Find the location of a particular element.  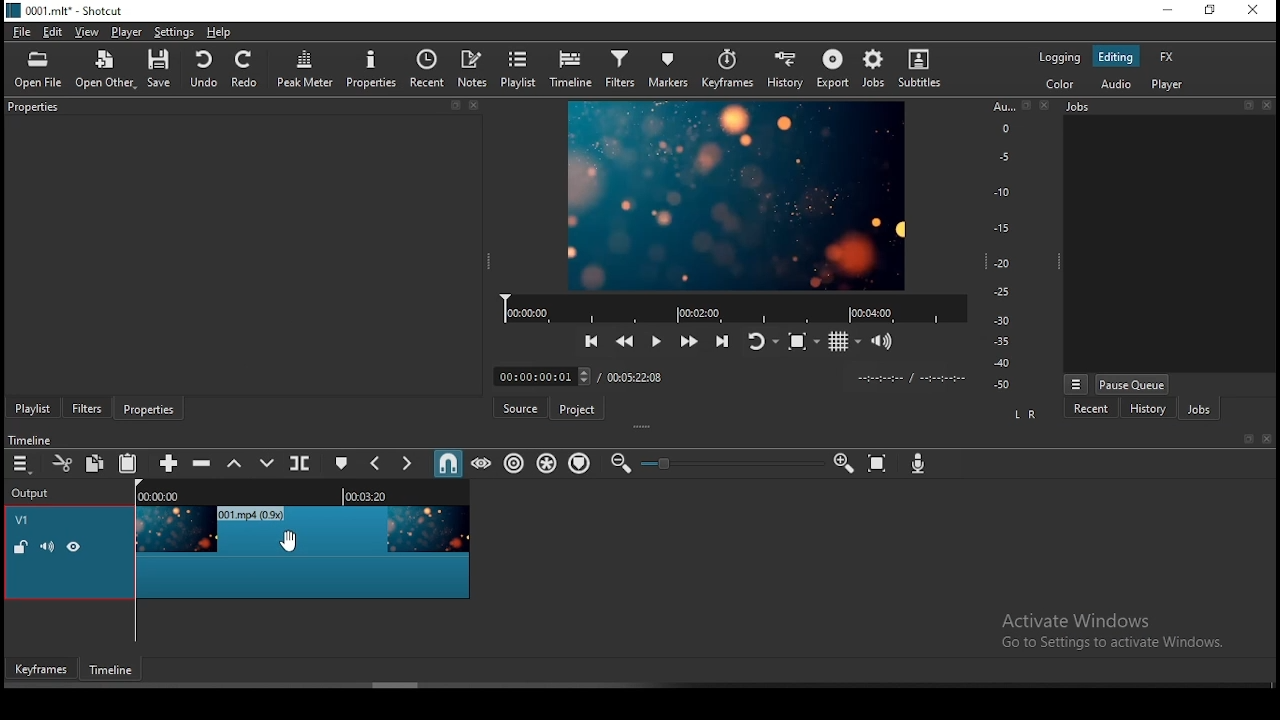

view/hide is located at coordinates (77, 548).